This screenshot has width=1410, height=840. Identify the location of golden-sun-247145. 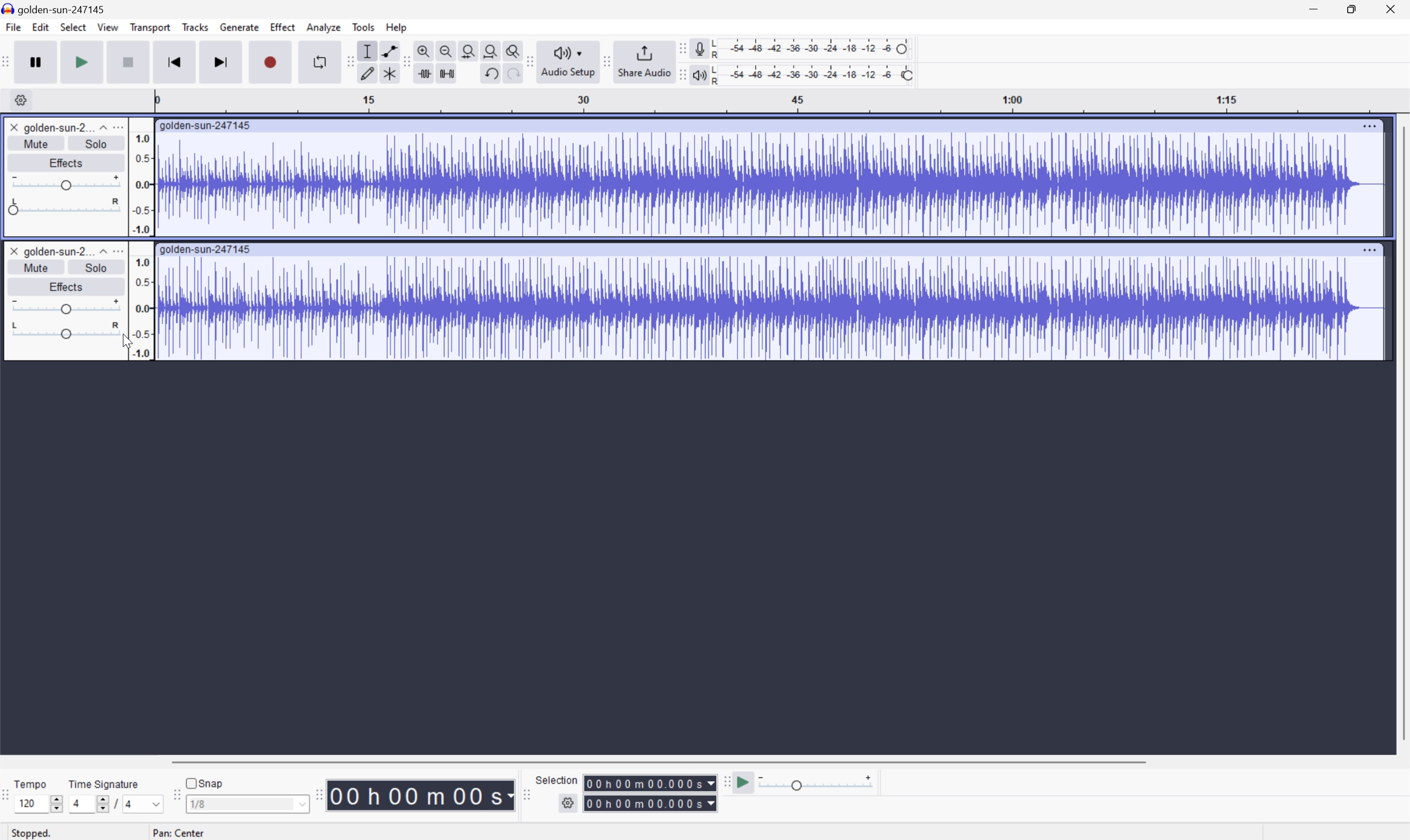
(206, 246).